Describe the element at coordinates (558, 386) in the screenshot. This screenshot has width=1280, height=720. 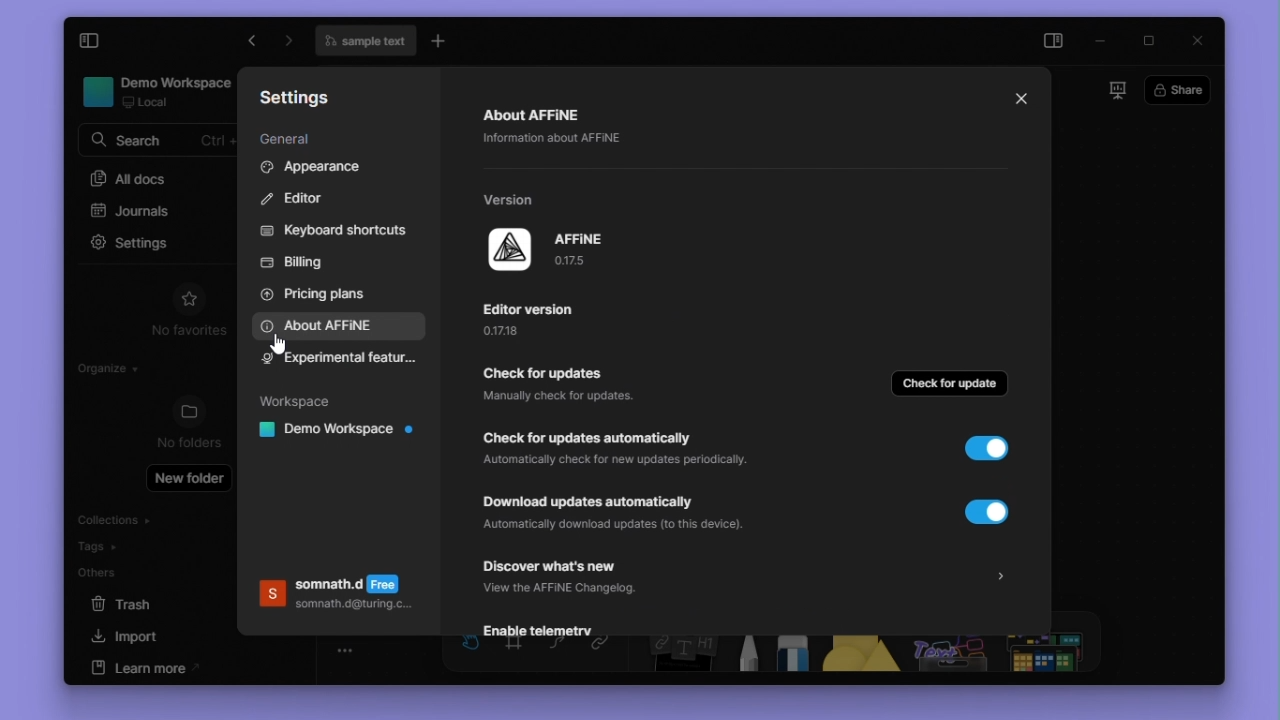
I see `check for updates button and explanatory text` at that location.